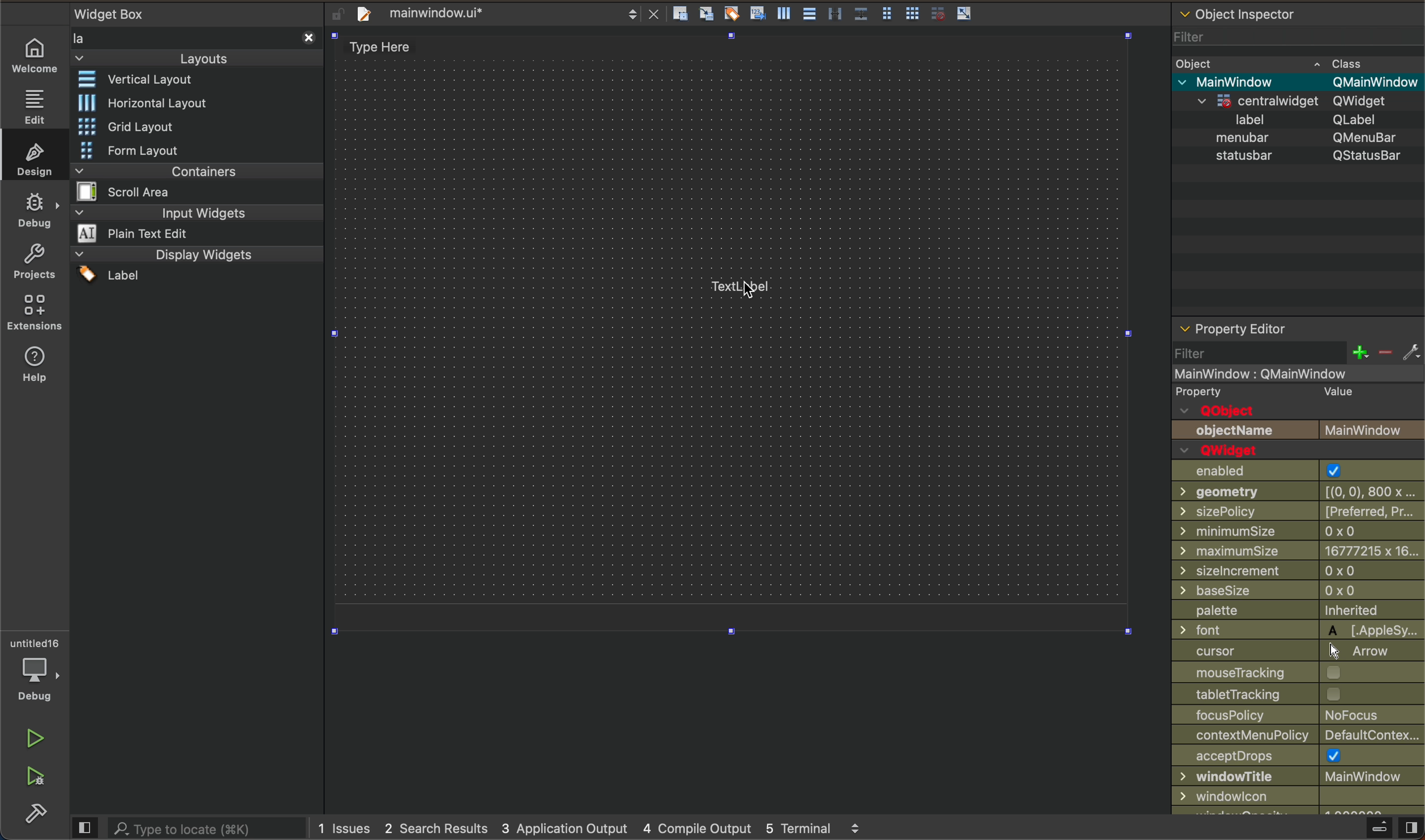 The width and height of the screenshot is (1425, 840). Describe the element at coordinates (1276, 372) in the screenshot. I see `main window` at that location.